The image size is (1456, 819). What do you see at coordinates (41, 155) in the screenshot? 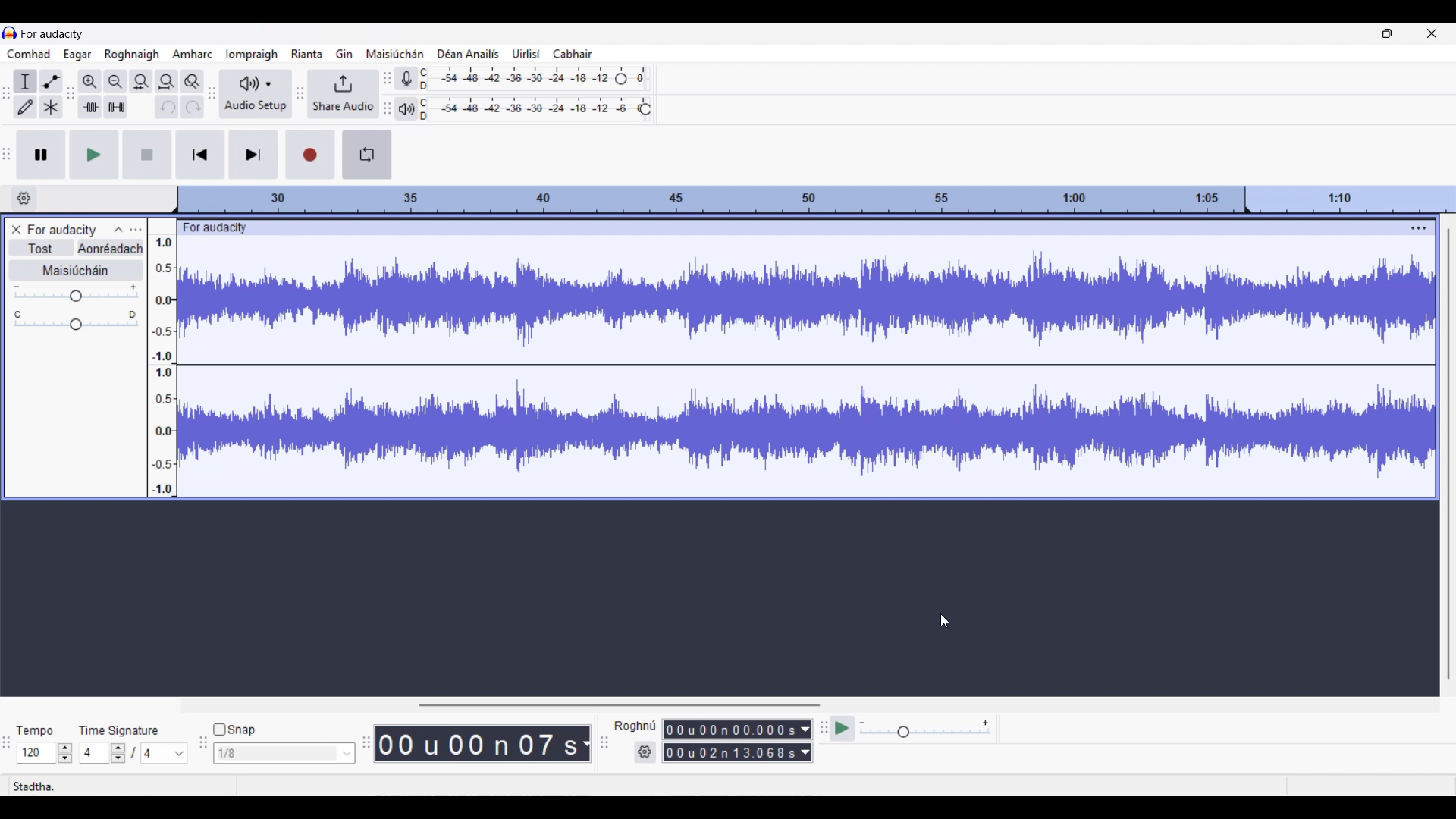
I see `Pause` at bounding box center [41, 155].